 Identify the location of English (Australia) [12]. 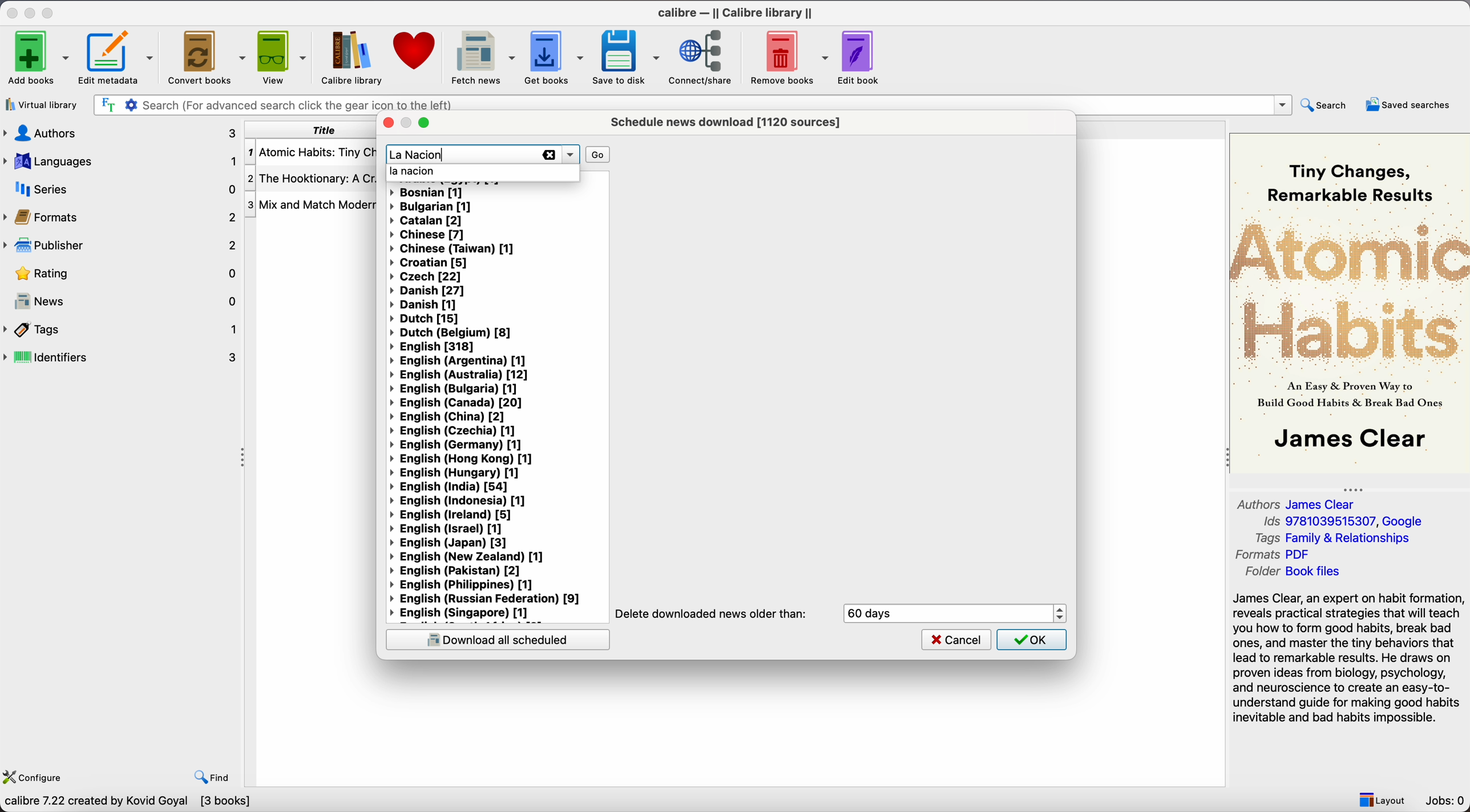
(458, 374).